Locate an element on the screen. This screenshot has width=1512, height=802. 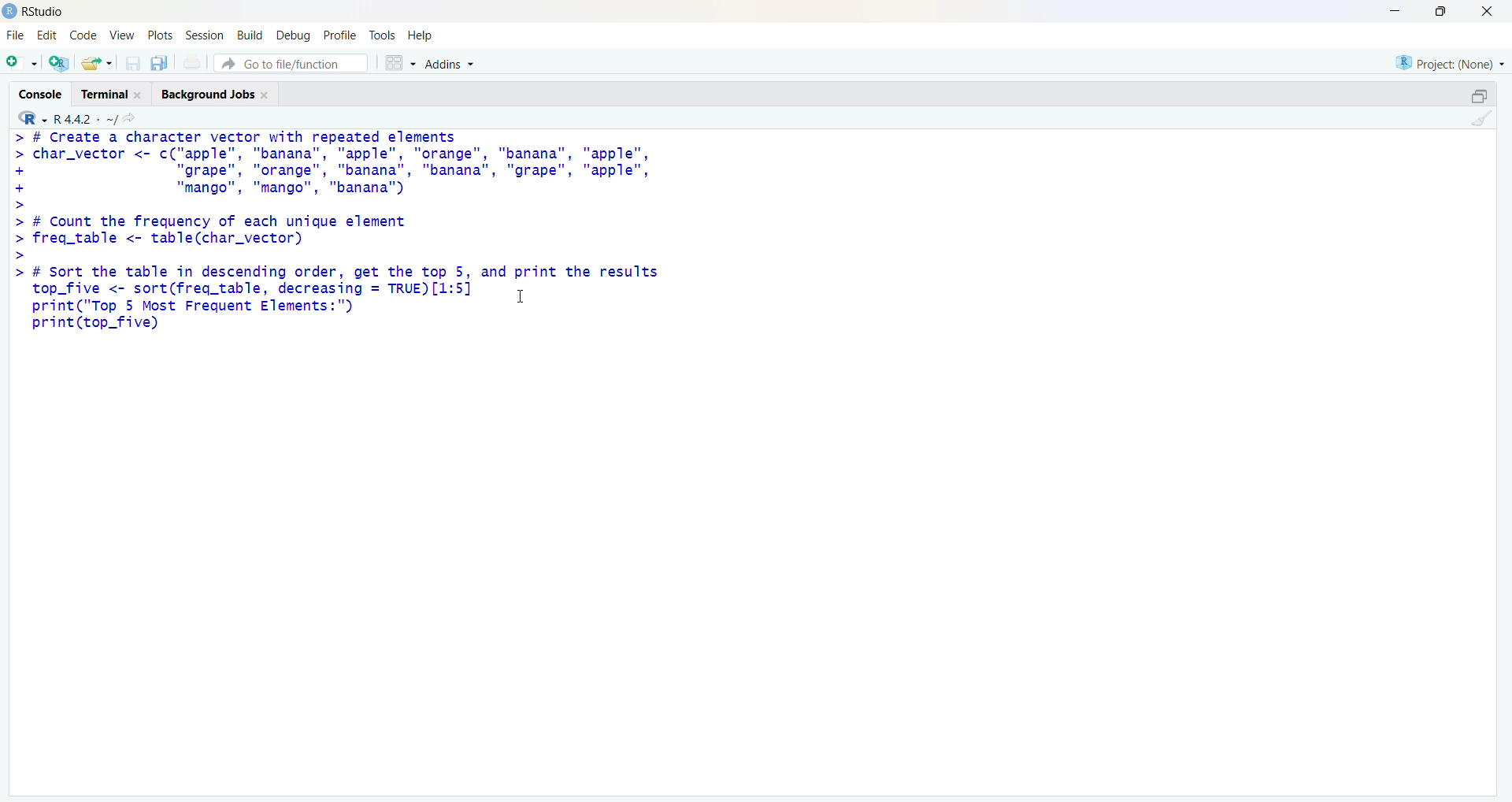
Build is located at coordinates (251, 37).